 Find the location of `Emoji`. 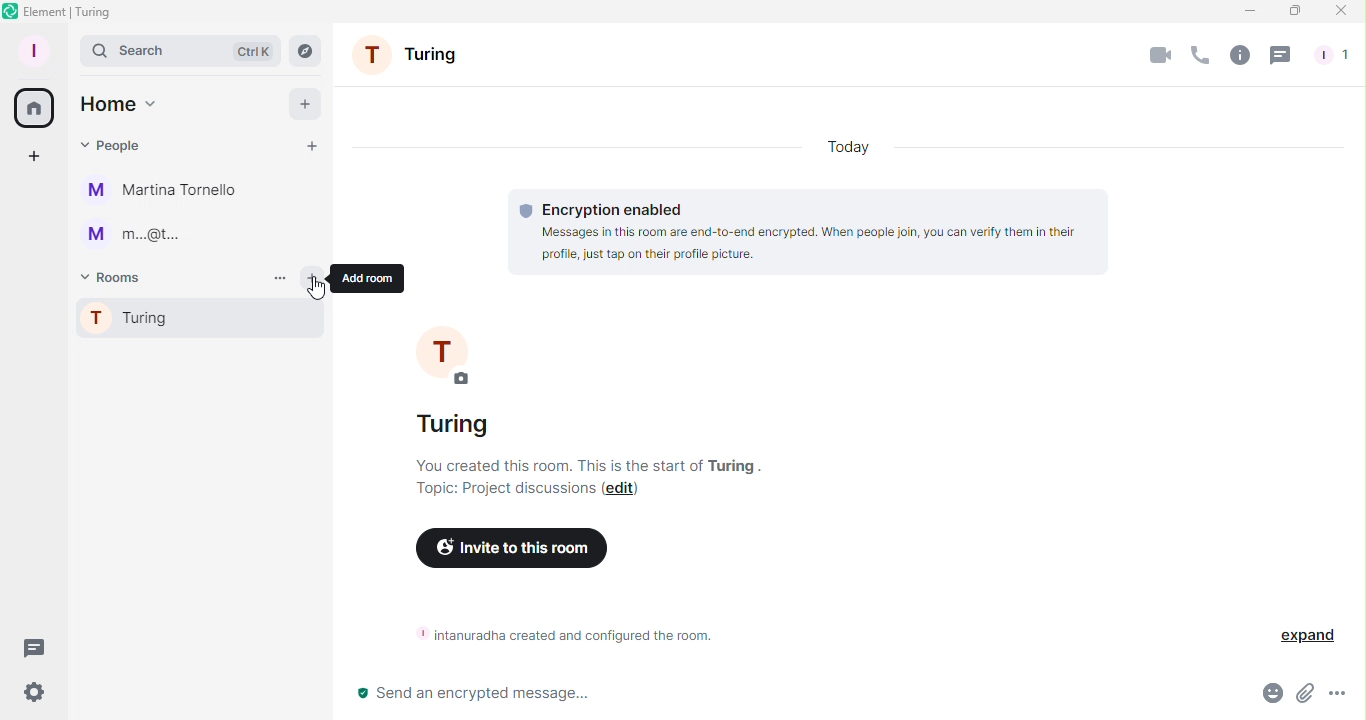

Emoji is located at coordinates (1268, 697).